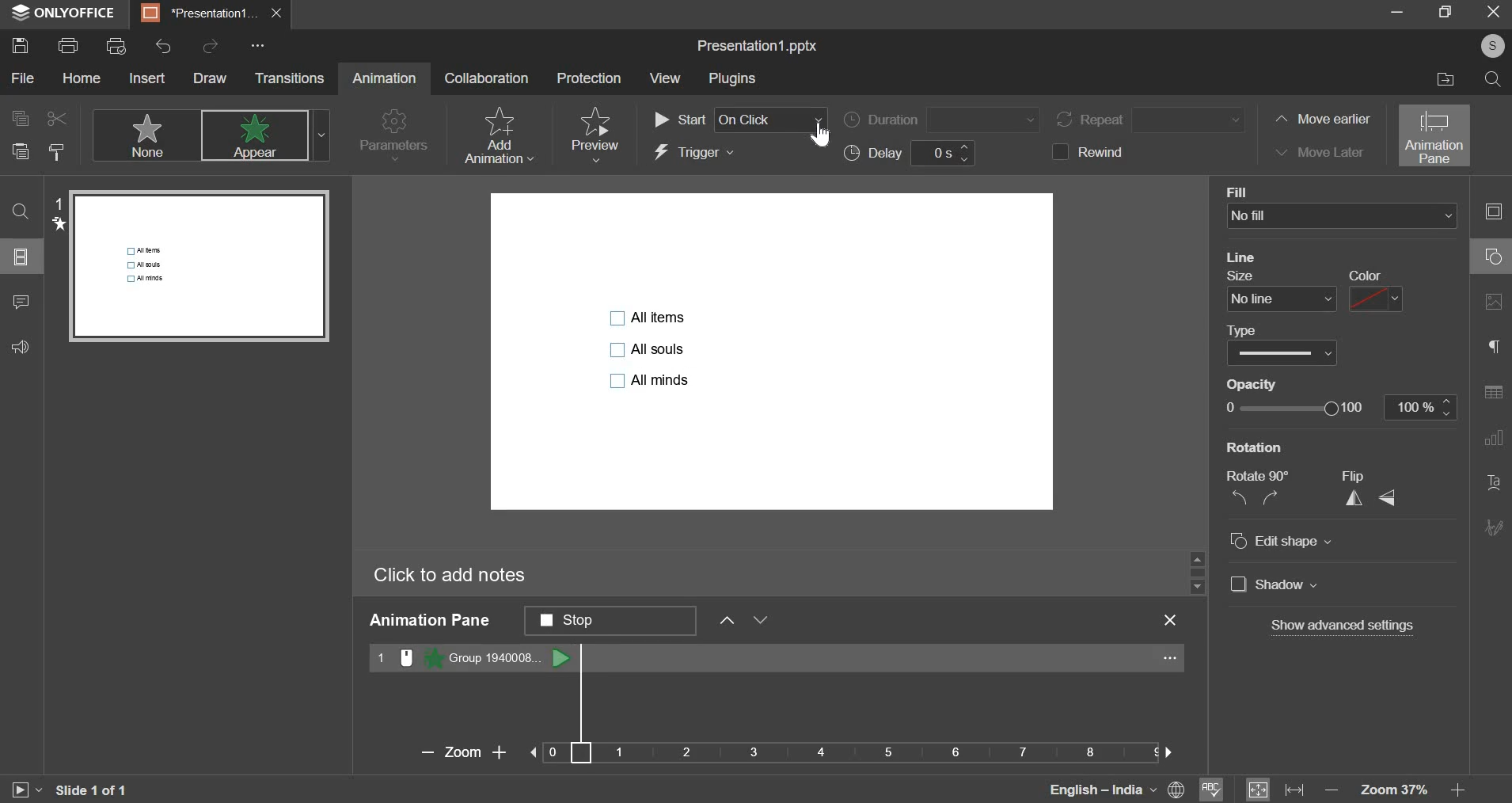  What do you see at coordinates (731, 79) in the screenshot?
I see `plugins` at bounding box center [731, 79].